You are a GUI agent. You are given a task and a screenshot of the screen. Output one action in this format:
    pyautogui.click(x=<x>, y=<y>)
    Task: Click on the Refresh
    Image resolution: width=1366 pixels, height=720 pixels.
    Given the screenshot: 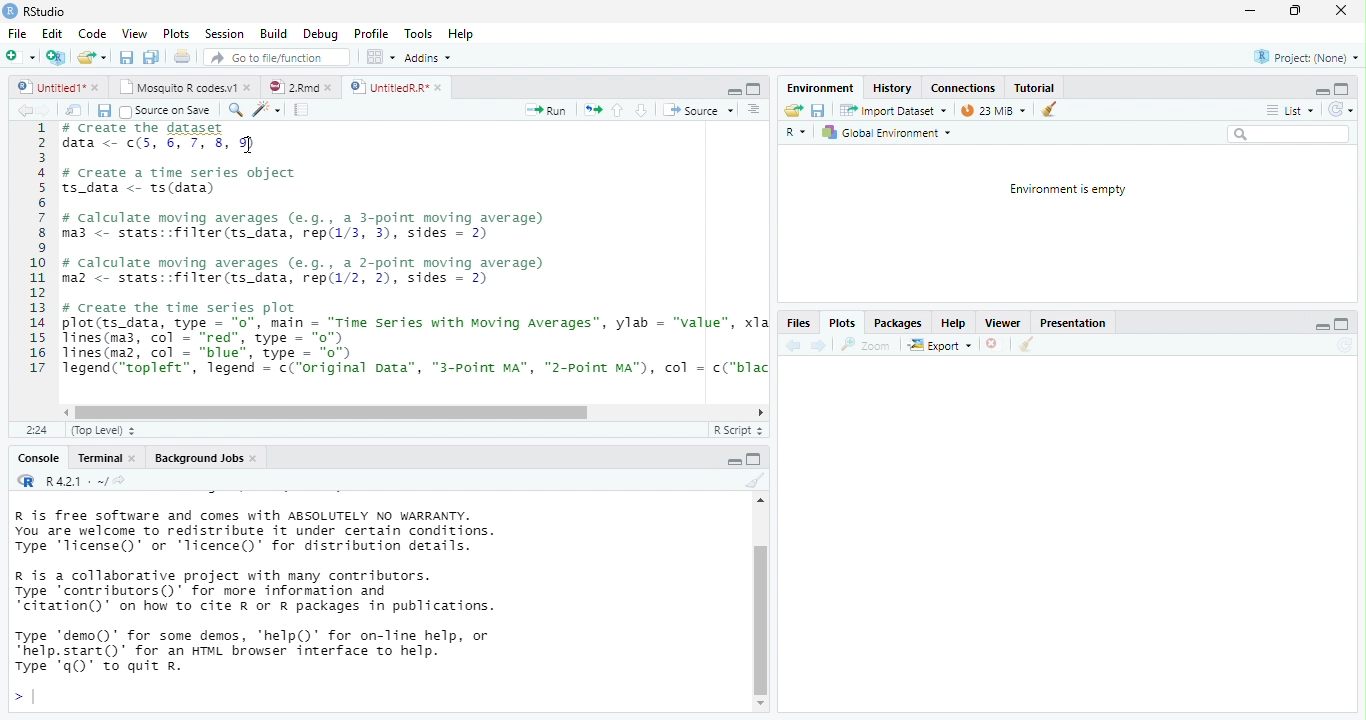 What is the action you would take?
    pyautogui.click(x=1341, y=110)
    